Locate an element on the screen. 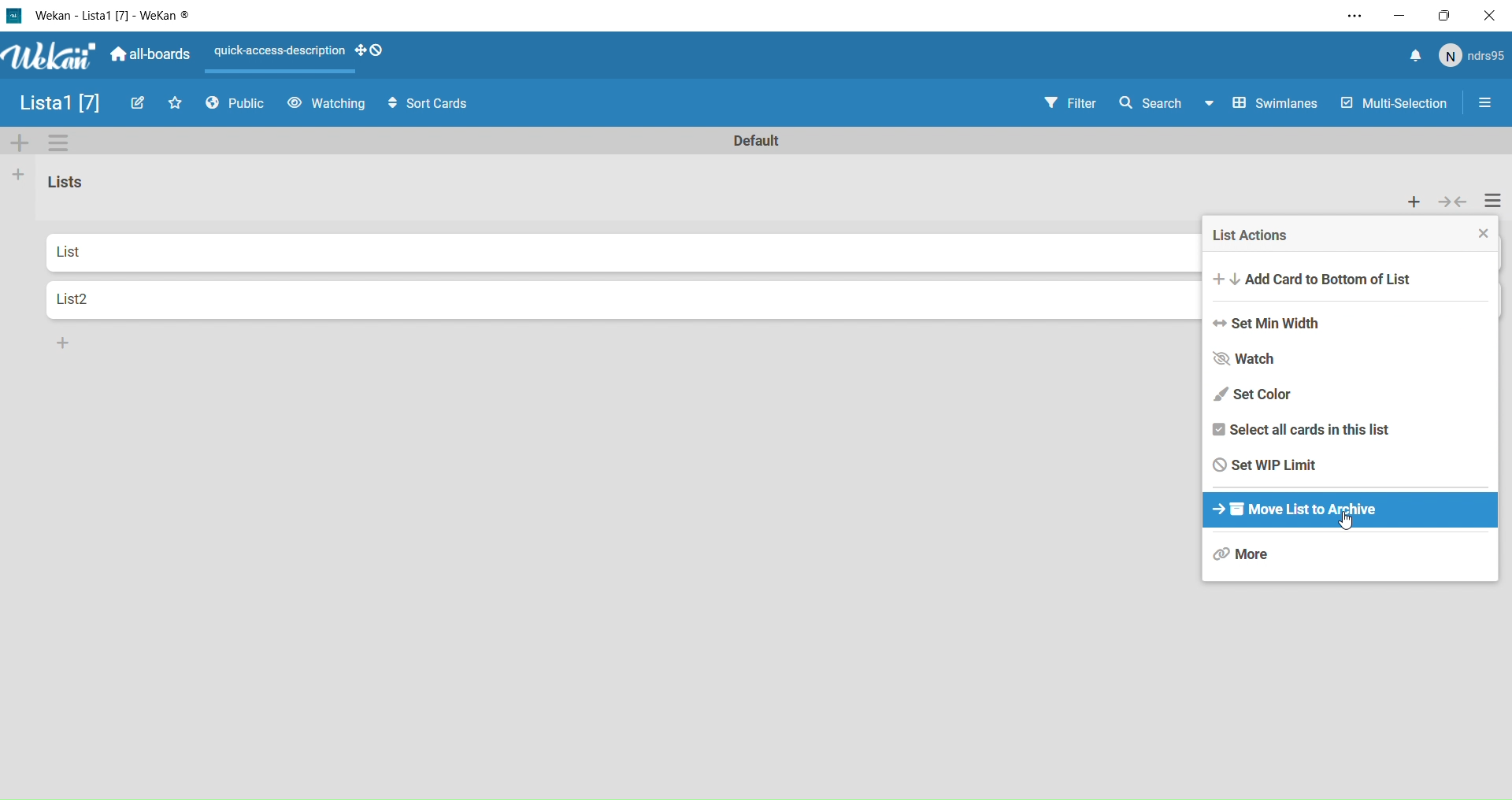  Add is located at coordinates (18, 179).